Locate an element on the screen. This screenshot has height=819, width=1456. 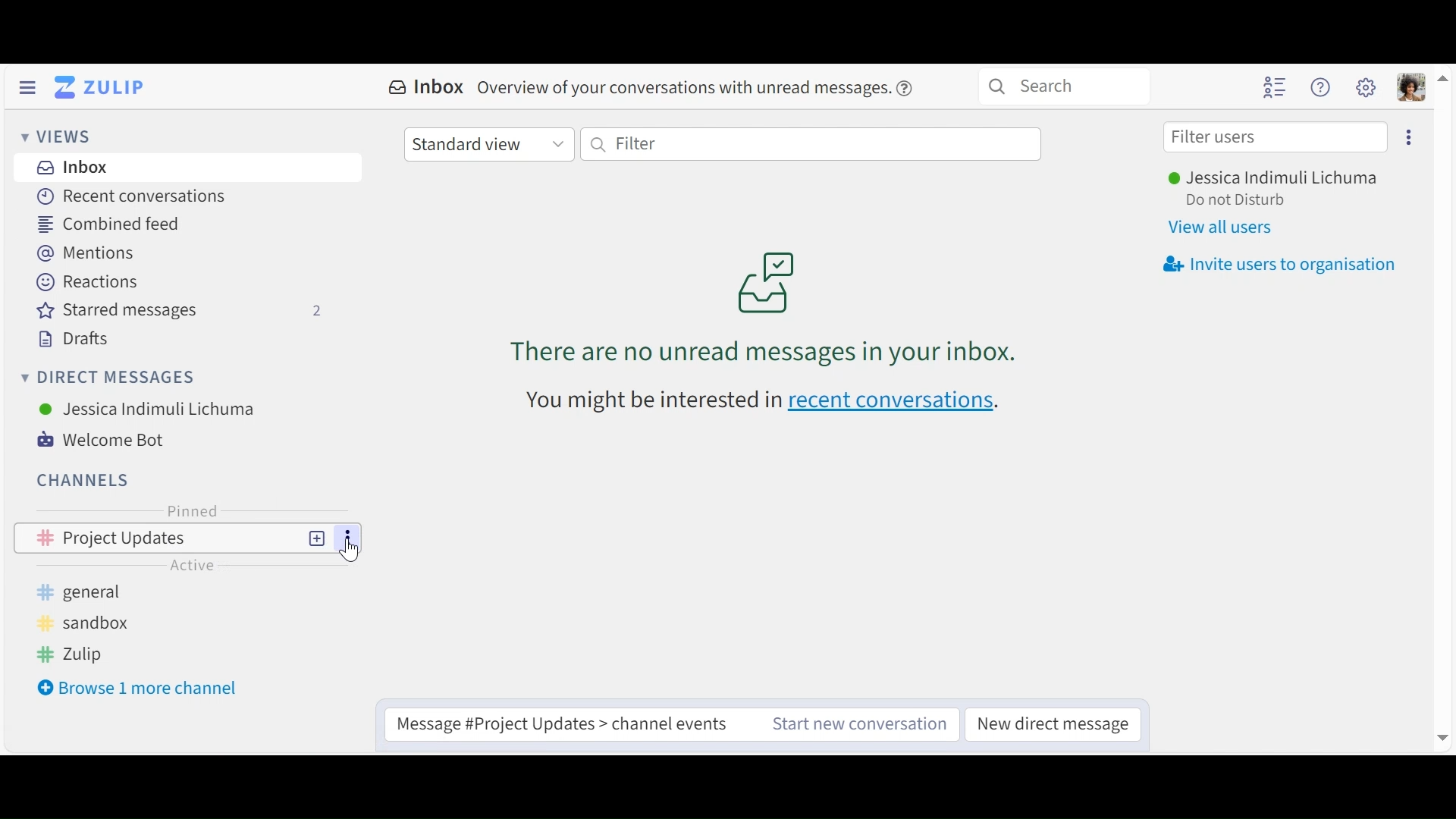
User is located at coordinates (149, 409).